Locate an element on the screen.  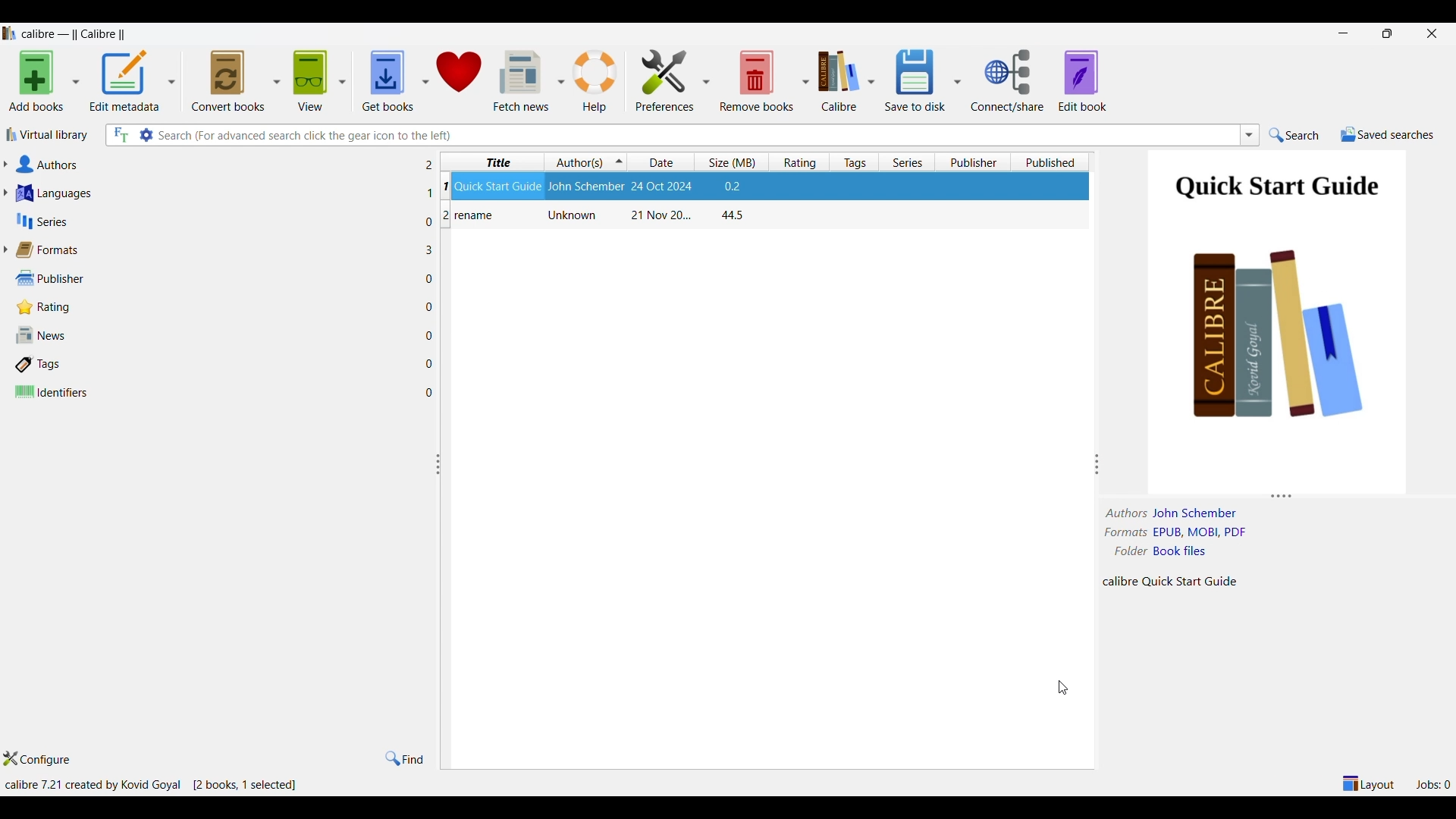
News is located at coordinates (213, 334).